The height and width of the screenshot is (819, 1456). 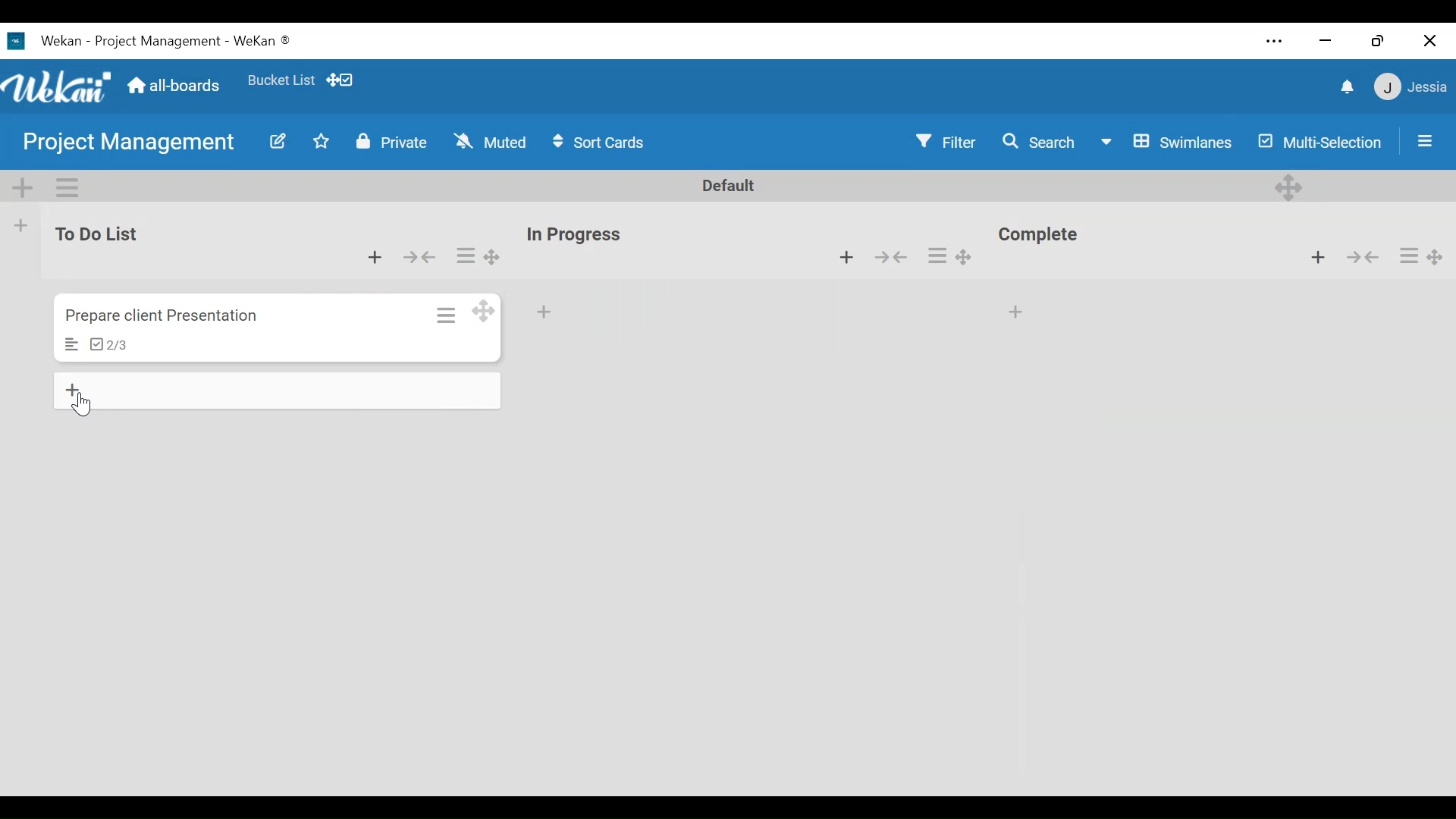 What do you see at coordinates (1036, 142) in the screenshot?
I see `Search` at bounding box center [1036, 142].